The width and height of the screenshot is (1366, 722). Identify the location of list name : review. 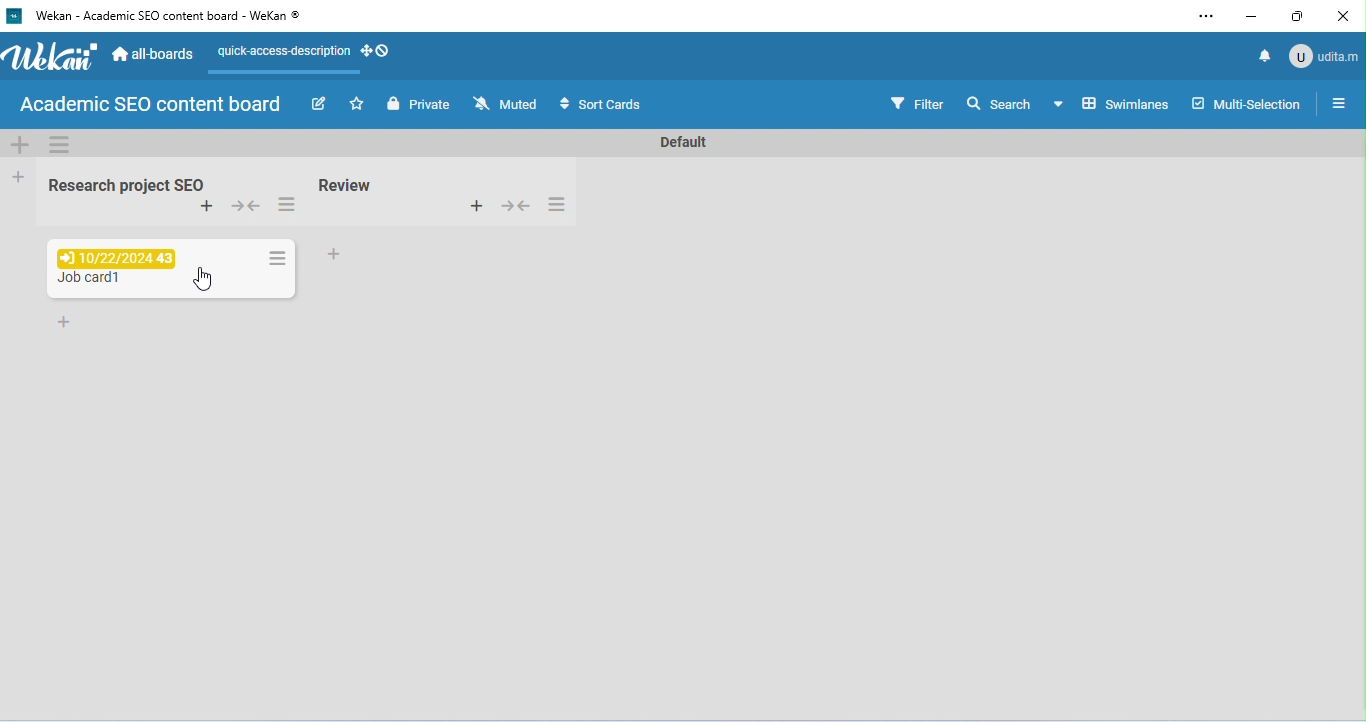
(346, 185).